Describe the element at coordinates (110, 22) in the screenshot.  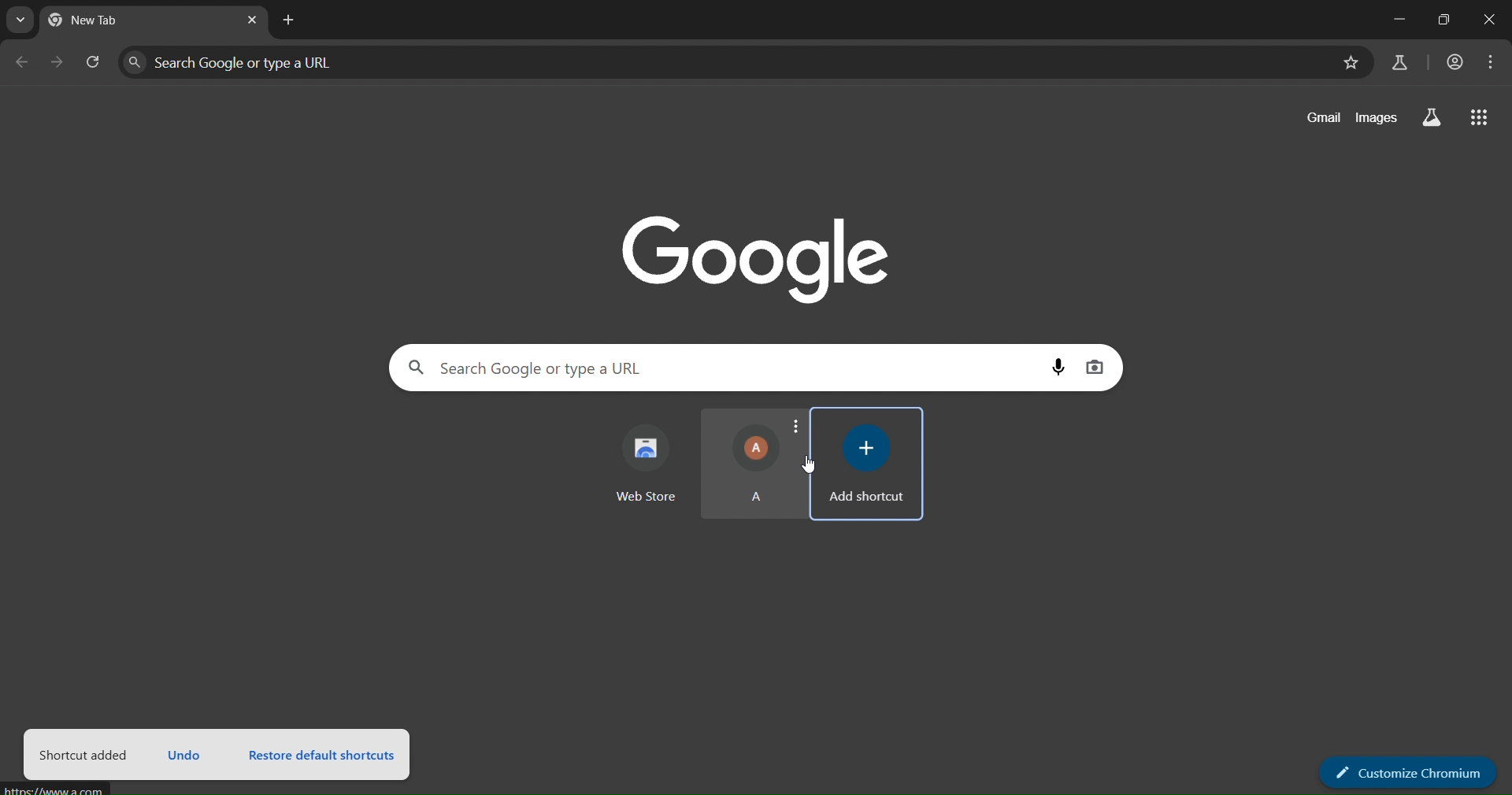
I see `current page` at that location.